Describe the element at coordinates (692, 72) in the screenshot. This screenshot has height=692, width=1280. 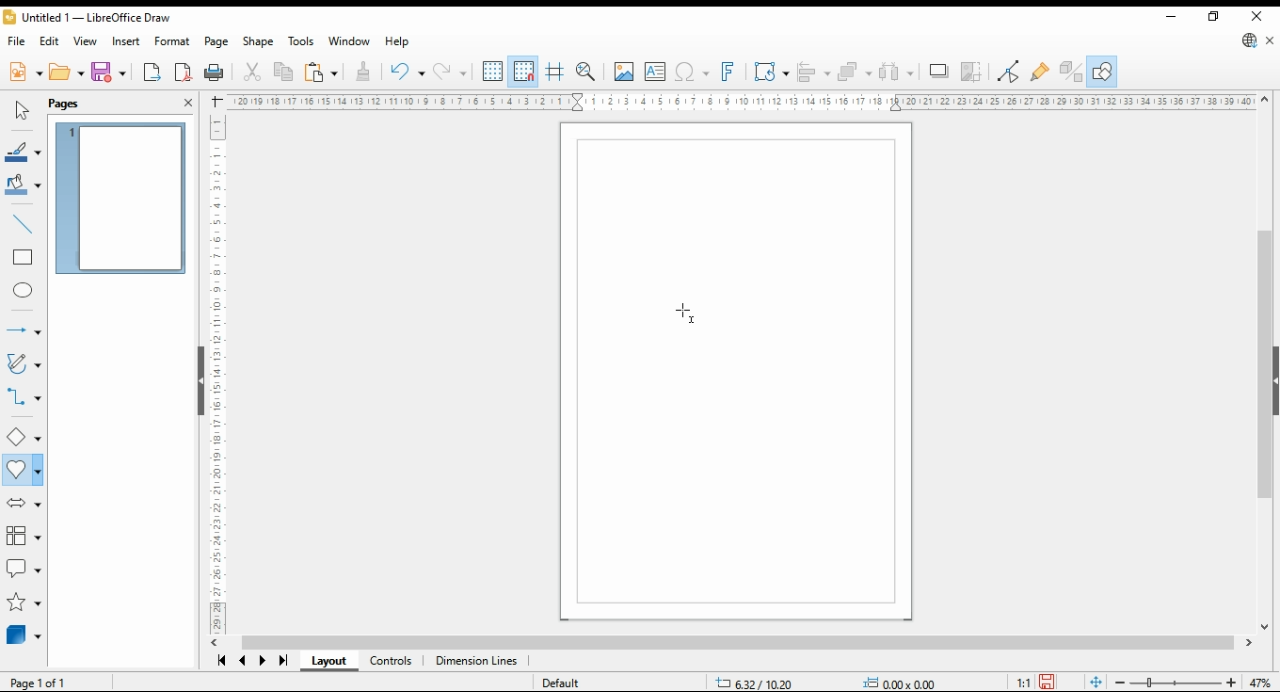
I see `insert special symbol` at that location.